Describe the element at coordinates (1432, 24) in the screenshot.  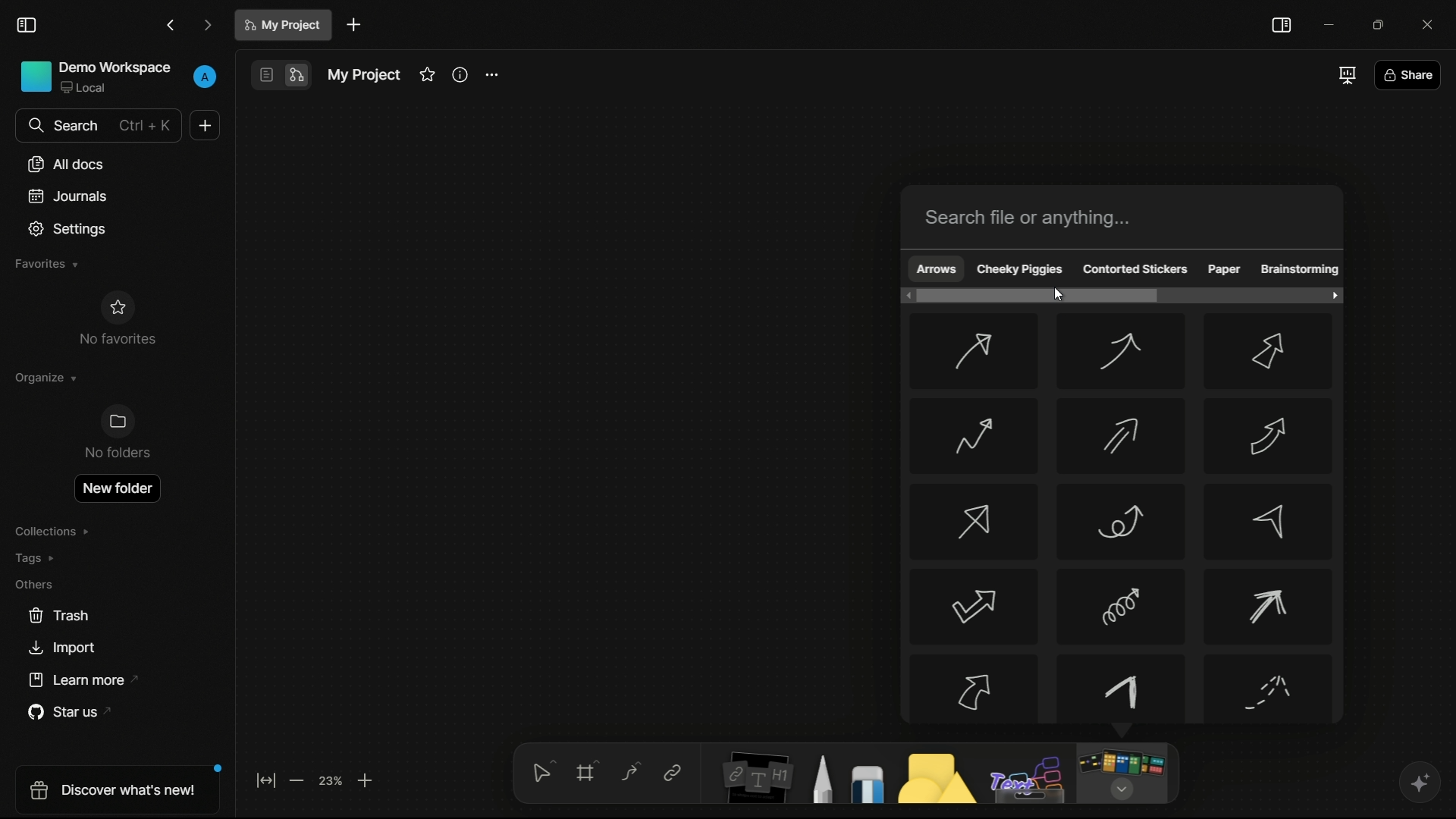
I see `close app` at that location.